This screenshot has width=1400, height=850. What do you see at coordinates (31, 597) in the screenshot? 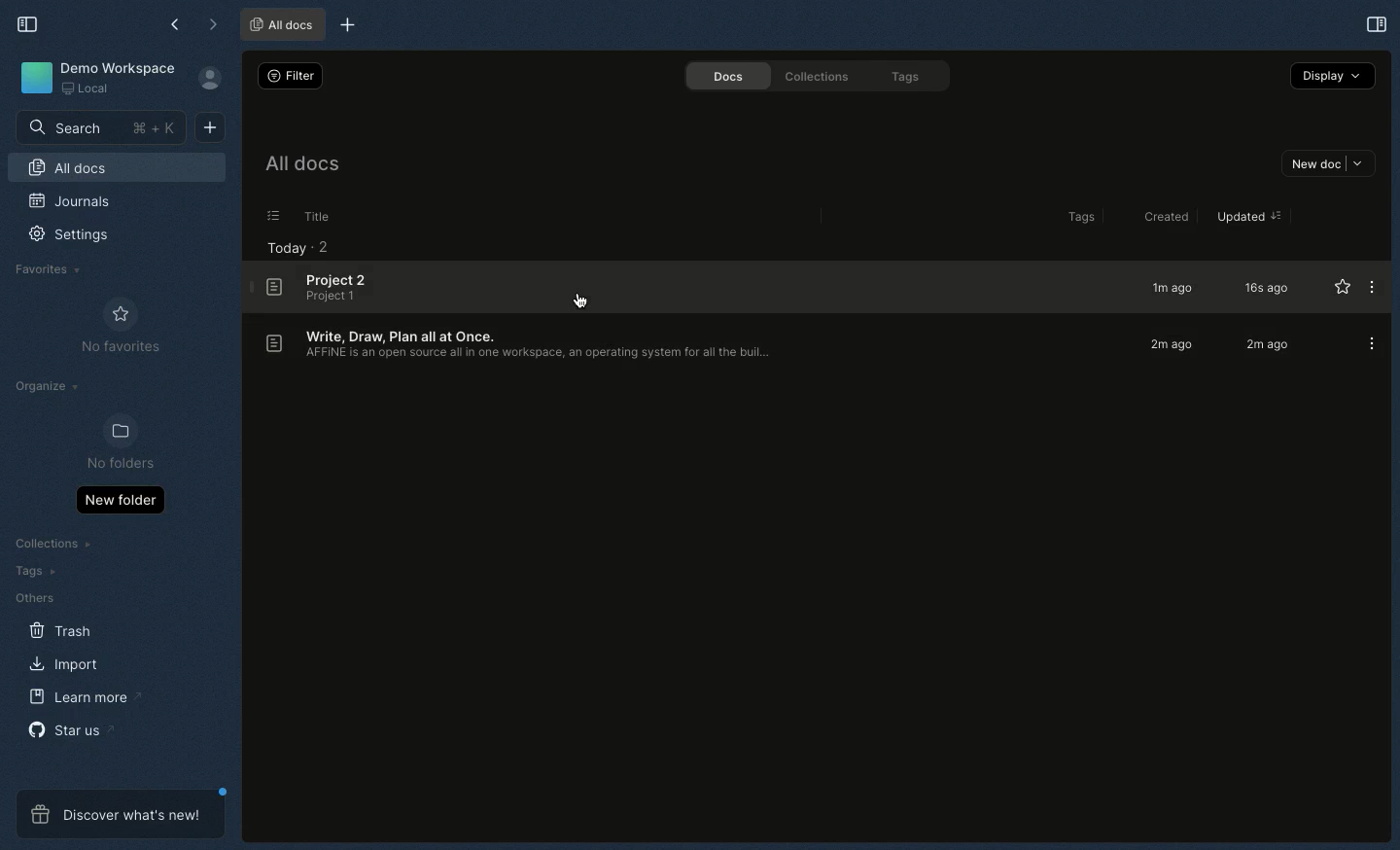
I see `Others` at bounding box center [31, 597].